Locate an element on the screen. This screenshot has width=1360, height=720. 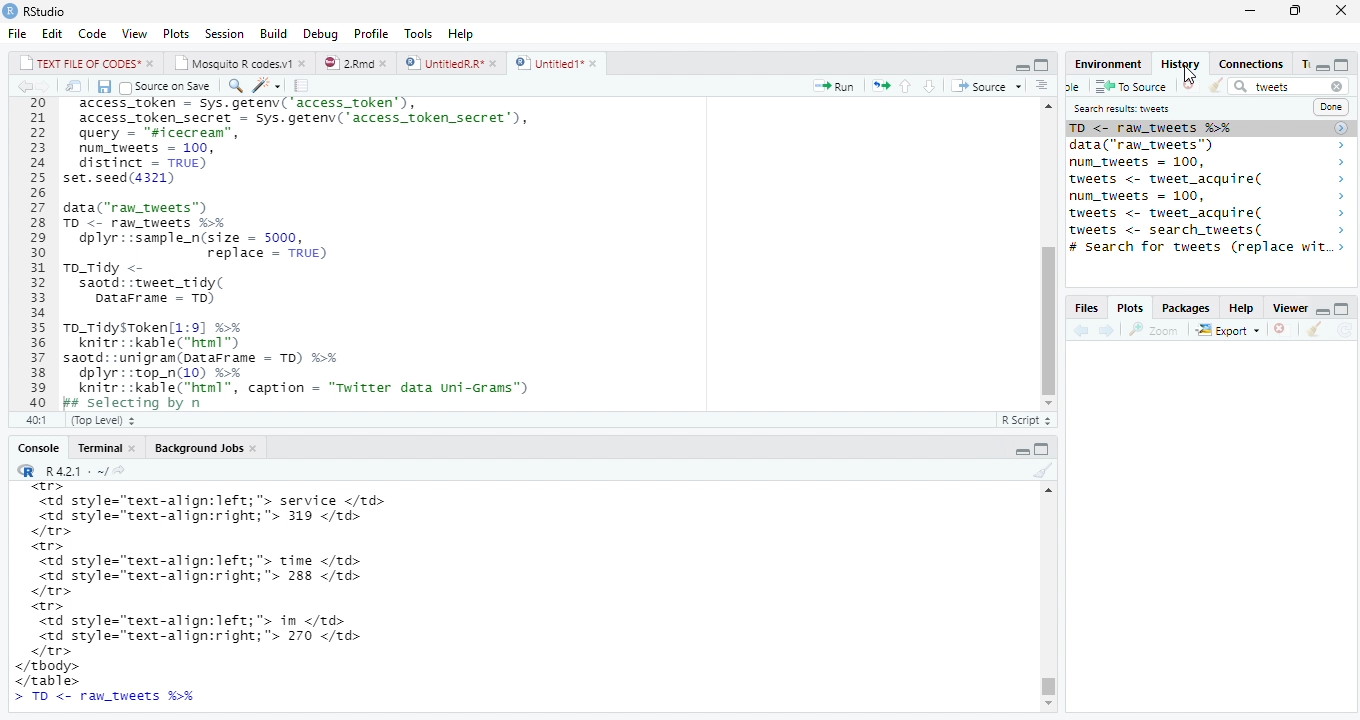
© 2”md is located at coordinates (357, 64).